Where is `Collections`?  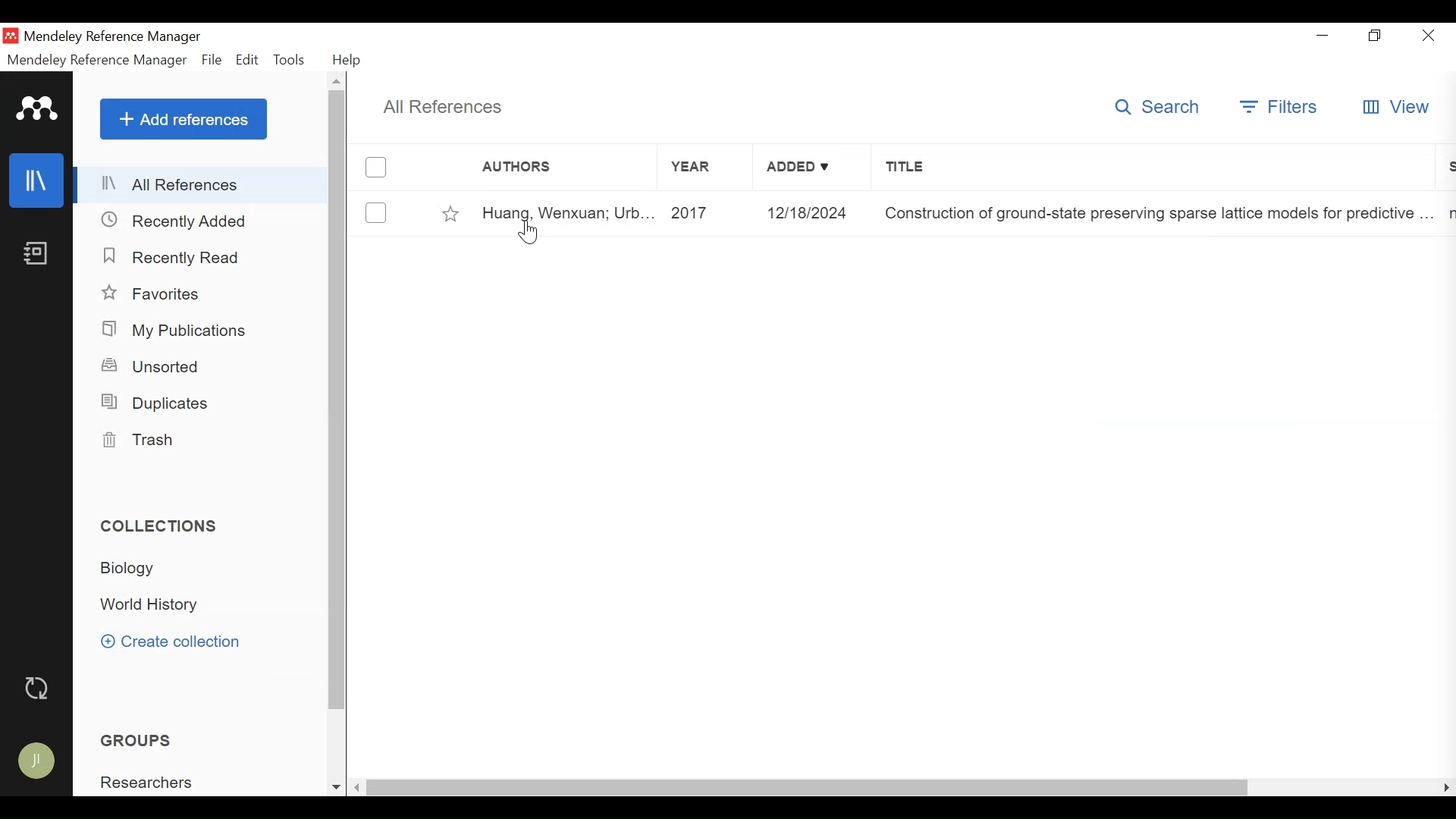 Collections is located at coordinates (160, 527).